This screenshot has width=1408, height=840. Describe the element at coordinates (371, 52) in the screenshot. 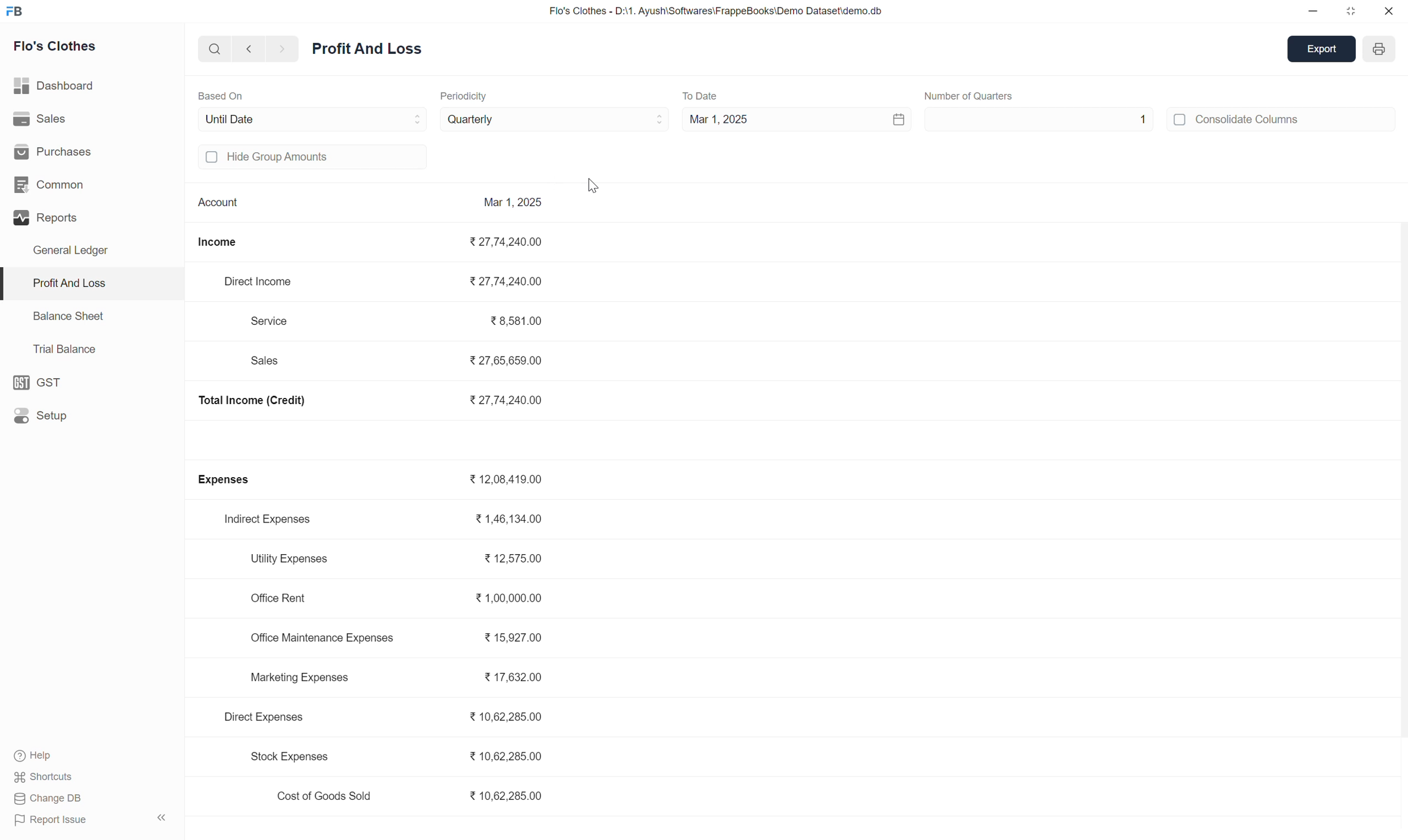

I see `Profit and Loss` at that location.